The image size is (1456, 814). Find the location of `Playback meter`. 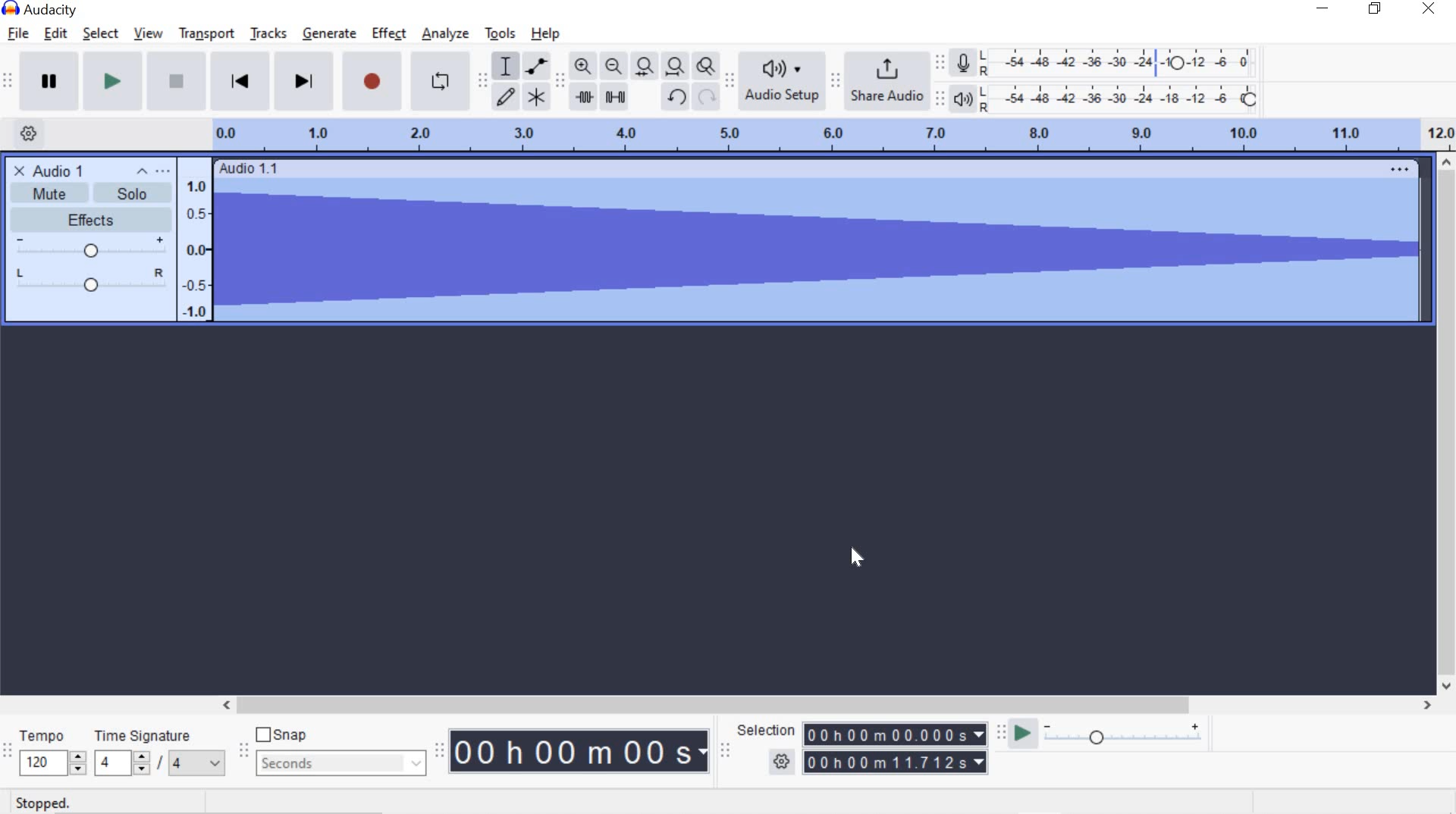

Playback meter is located at coordinates (962, 99).